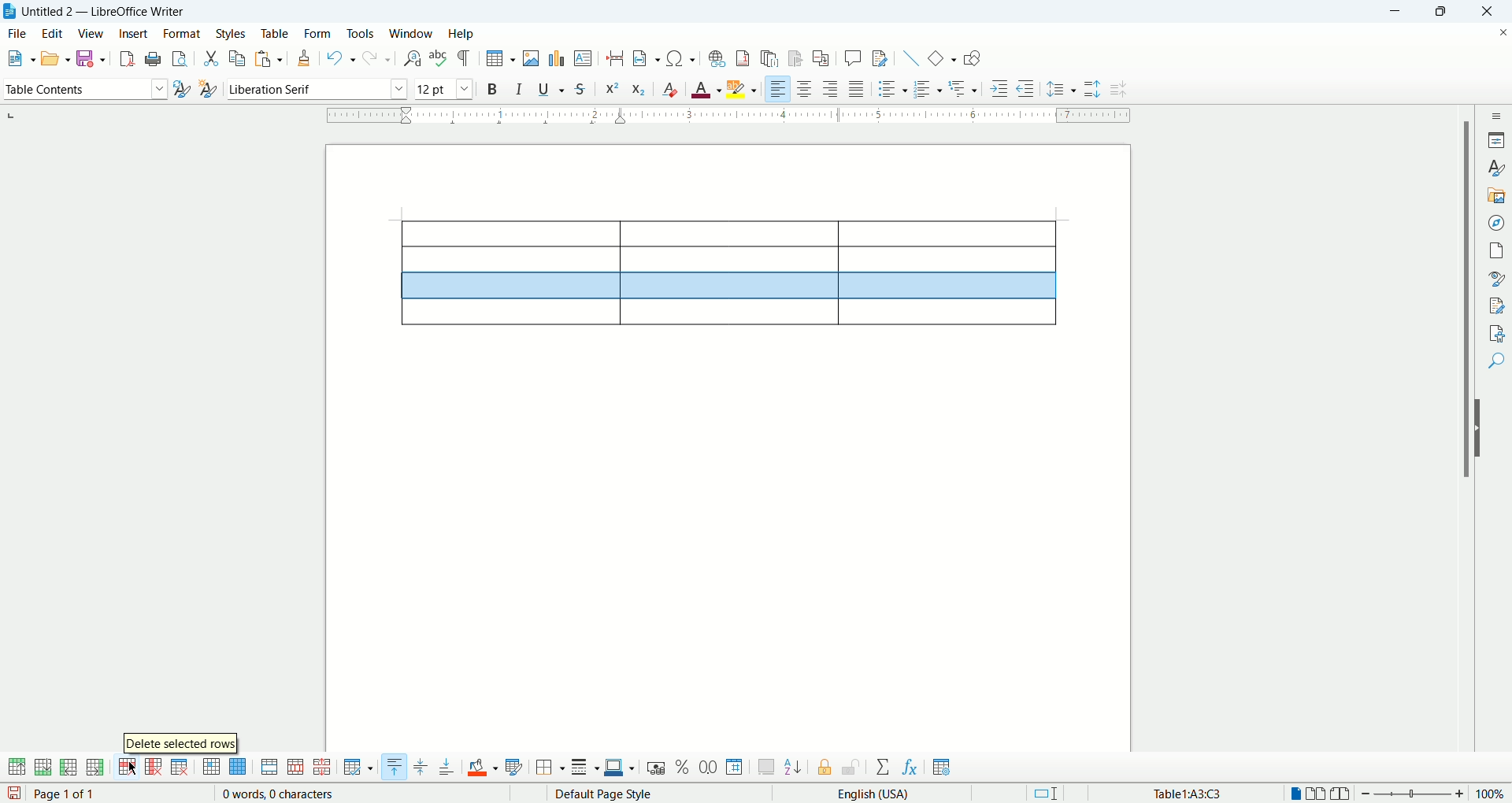  I want to click on window, so click(412, 32).